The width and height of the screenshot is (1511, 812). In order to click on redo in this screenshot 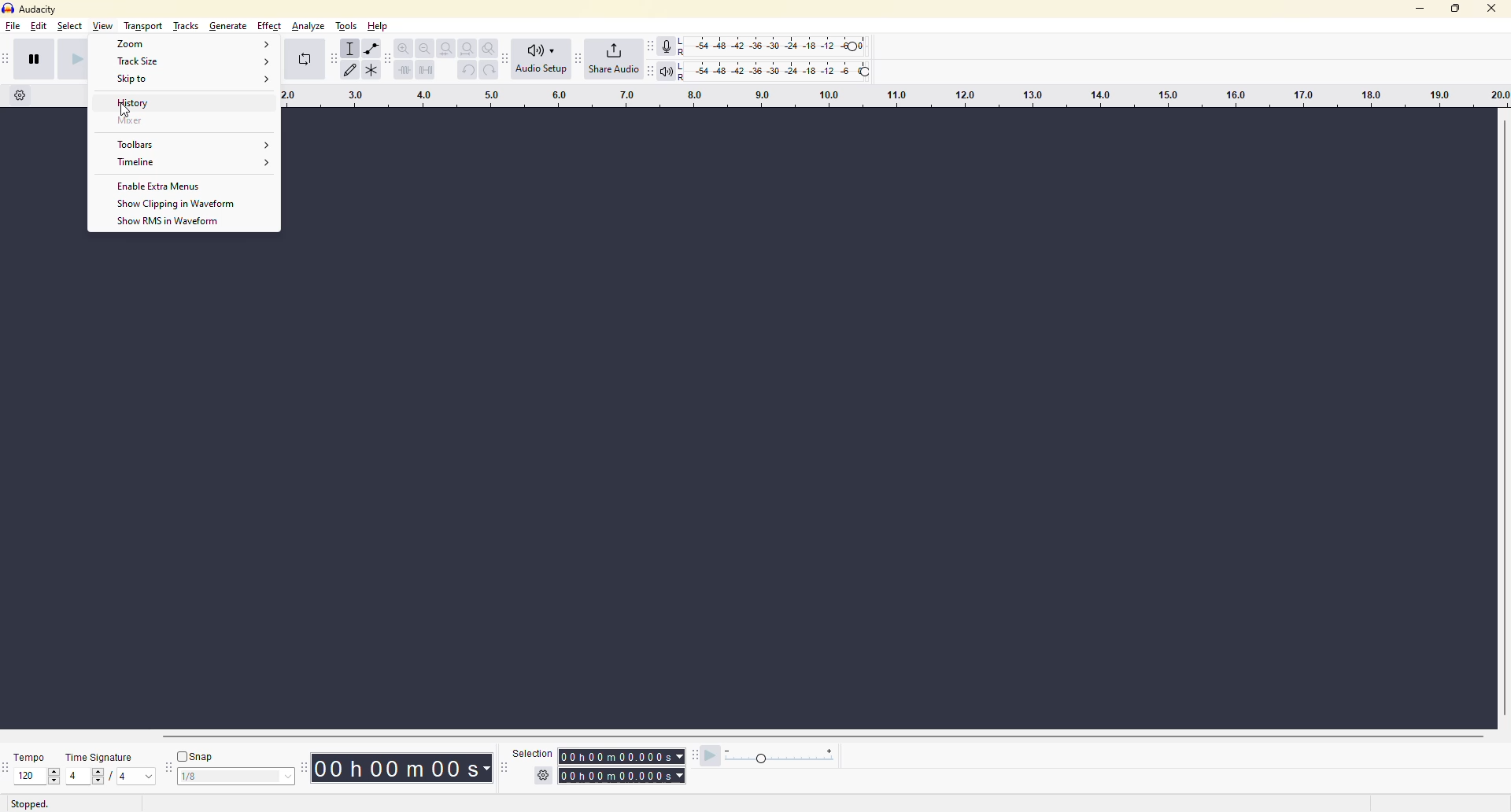, I will do `click(488, 69)`.